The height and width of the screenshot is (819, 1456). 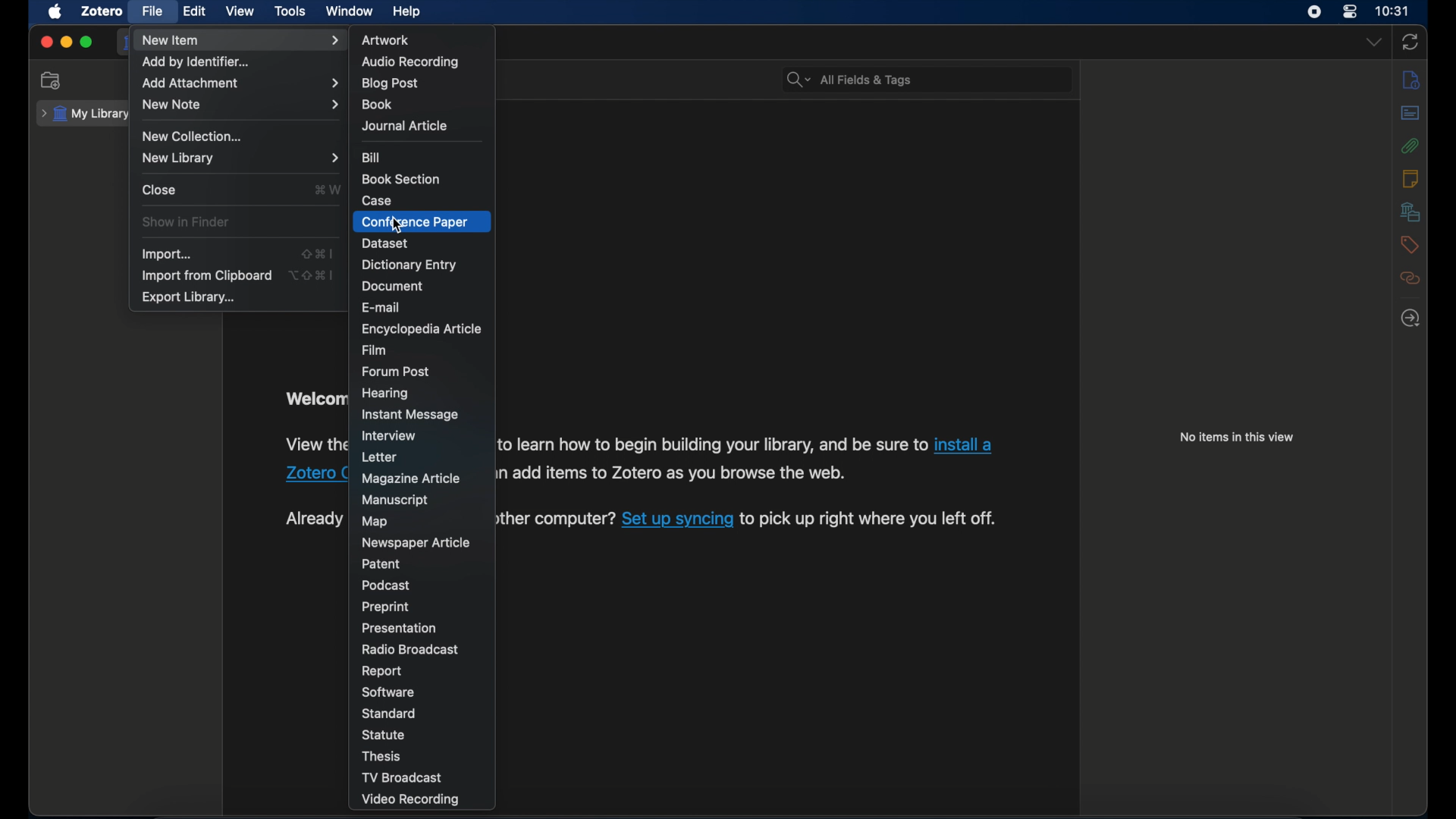 What do you see at coordinates (400, 178) in the screenshot?
I see `book section` at bounding box center [400, 178].